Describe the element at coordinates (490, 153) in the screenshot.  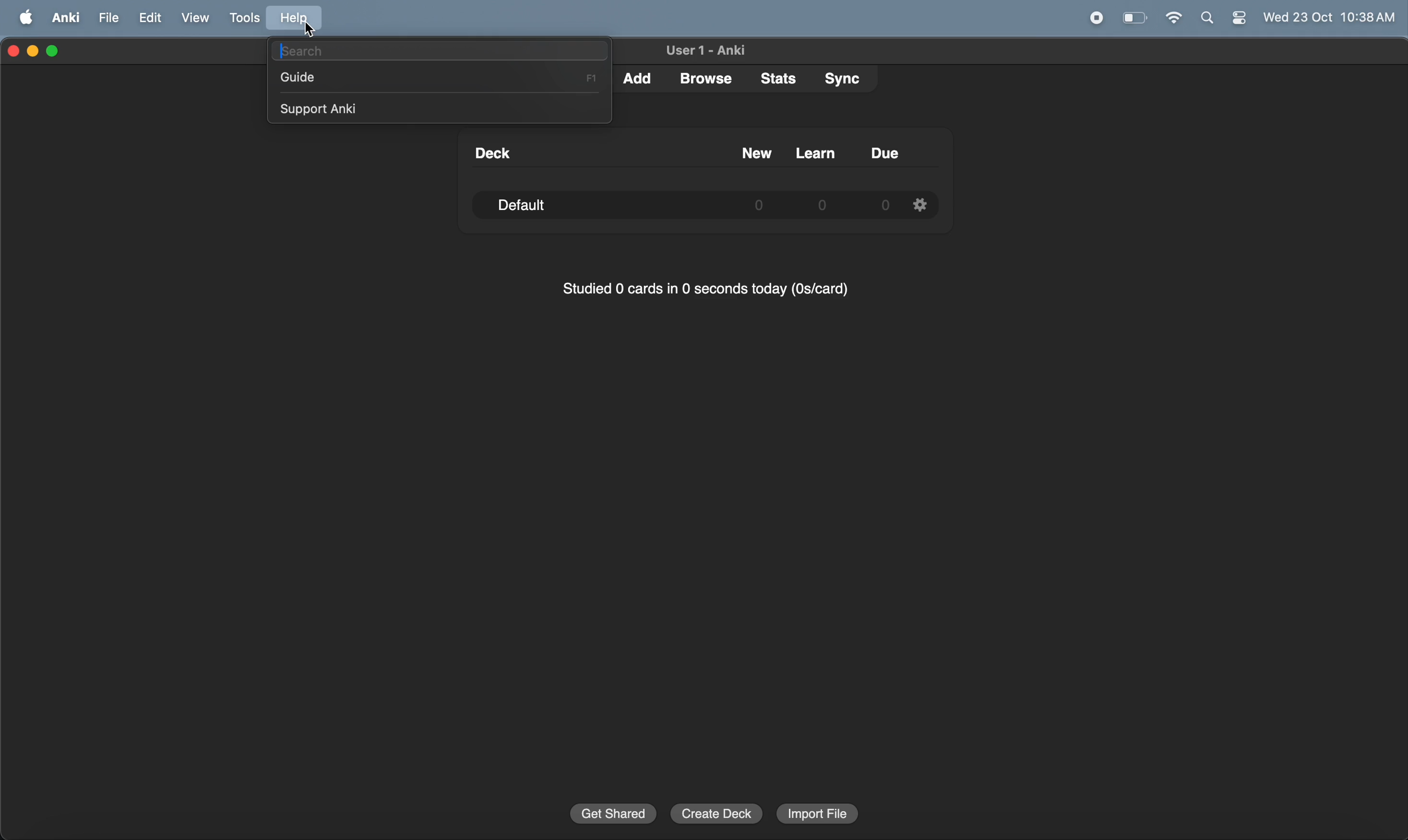
I see `deck` at that location.